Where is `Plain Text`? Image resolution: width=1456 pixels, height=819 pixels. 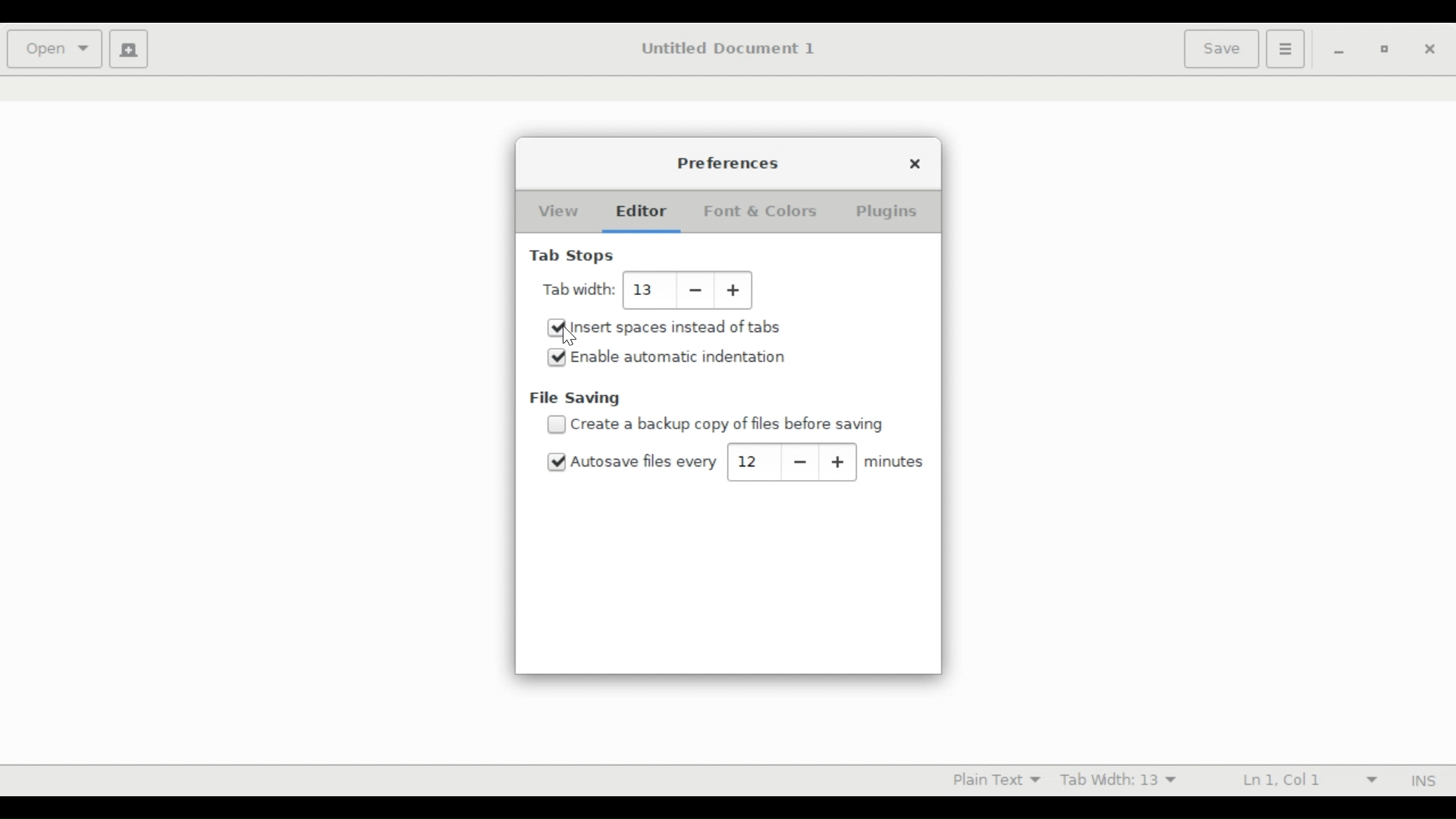 Plain Text is located at coordinates (993, 779).